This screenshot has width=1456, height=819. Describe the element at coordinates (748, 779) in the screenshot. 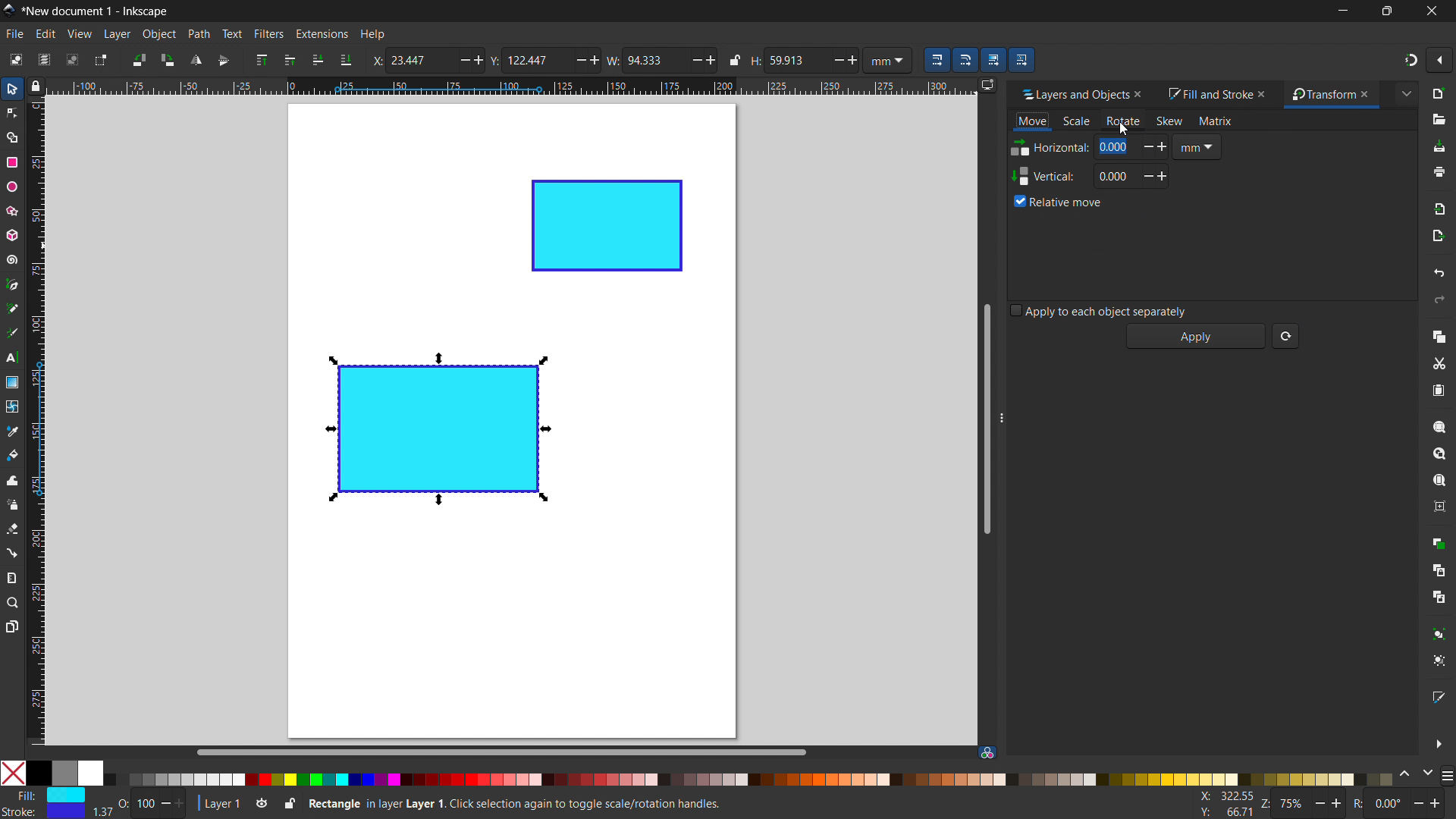

I see `color palletes` at that location.